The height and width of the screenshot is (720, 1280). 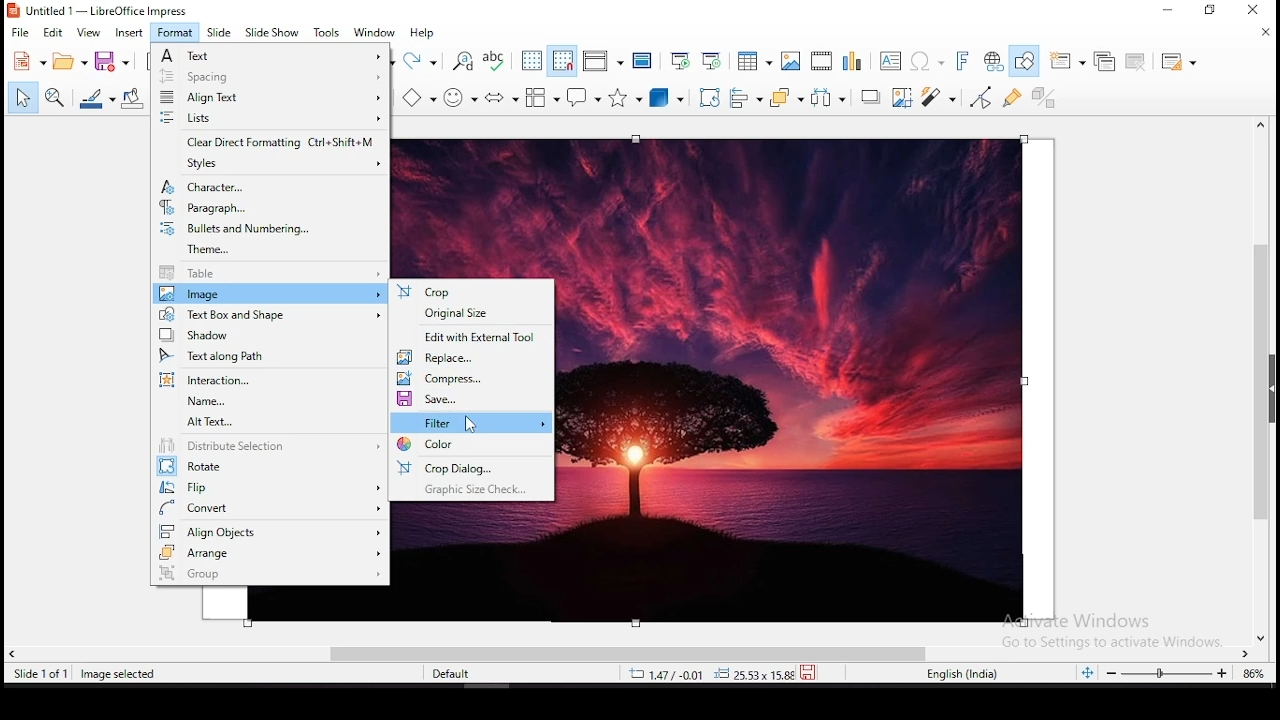 What do you see at coordinates (870, 98) in the screenshot?
I see `Shadow` at bounding box center [870, 98].